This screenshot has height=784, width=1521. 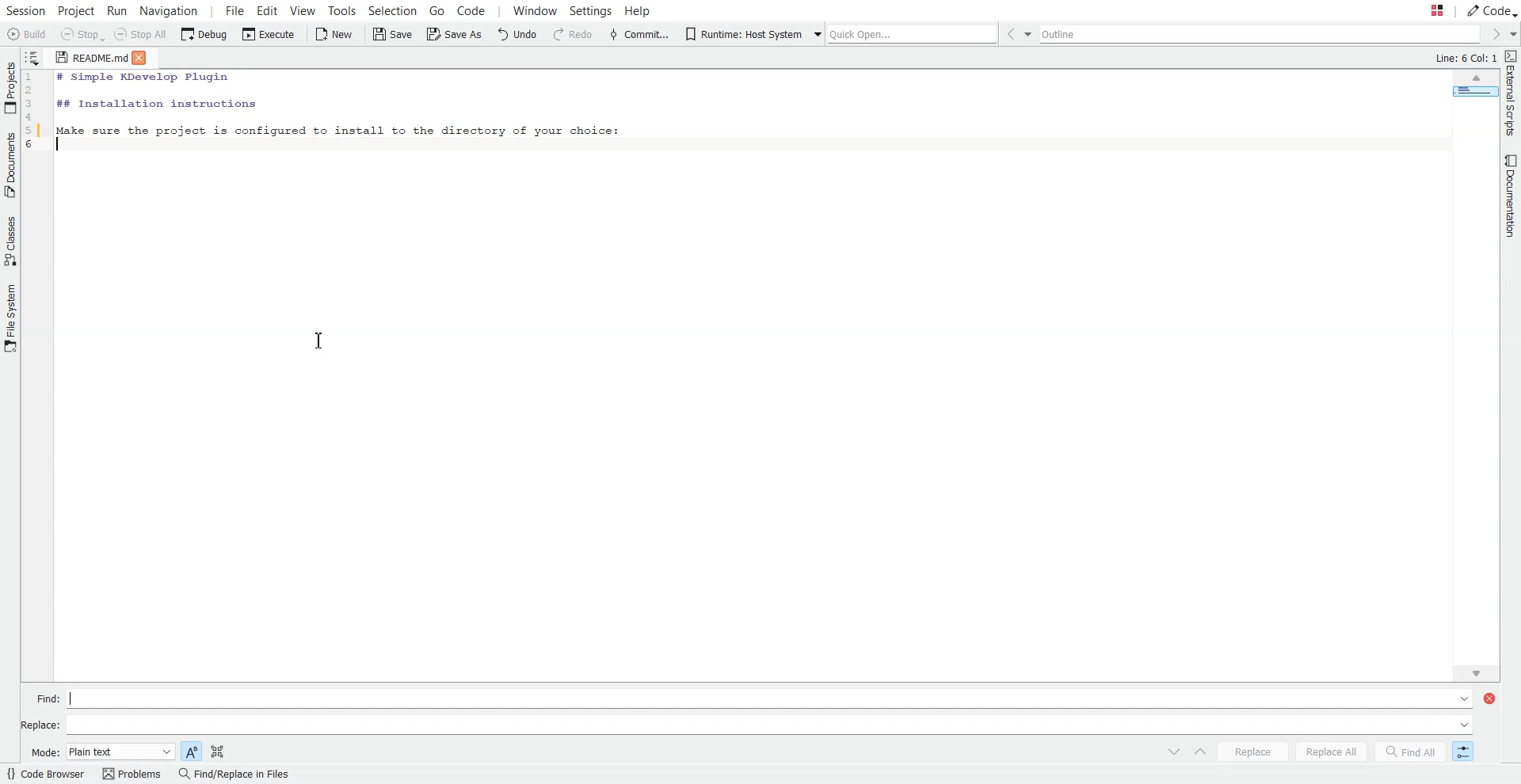 What do you see at coordinates (141, 58) in the screenshot?
I see `Close` at bounding box center [141, 58].